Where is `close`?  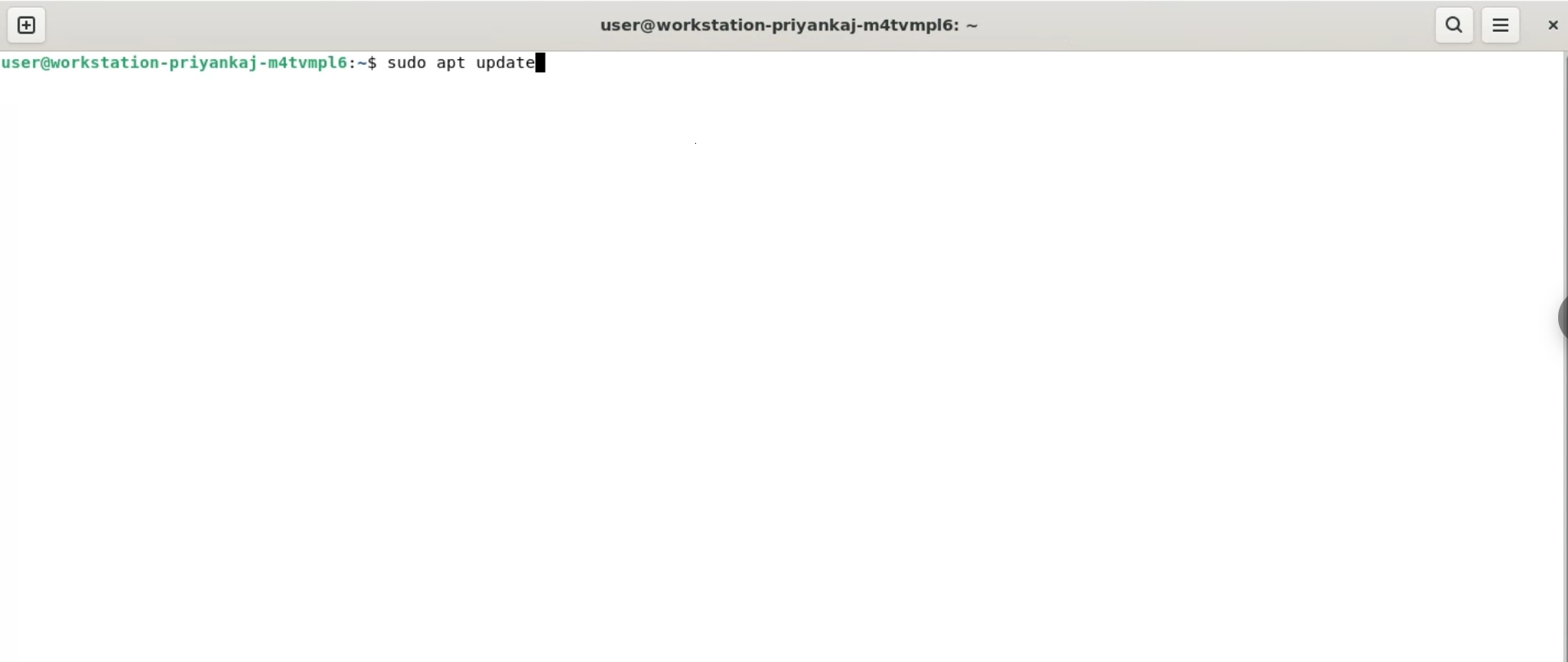 close is located at coordinates (1547, 29).